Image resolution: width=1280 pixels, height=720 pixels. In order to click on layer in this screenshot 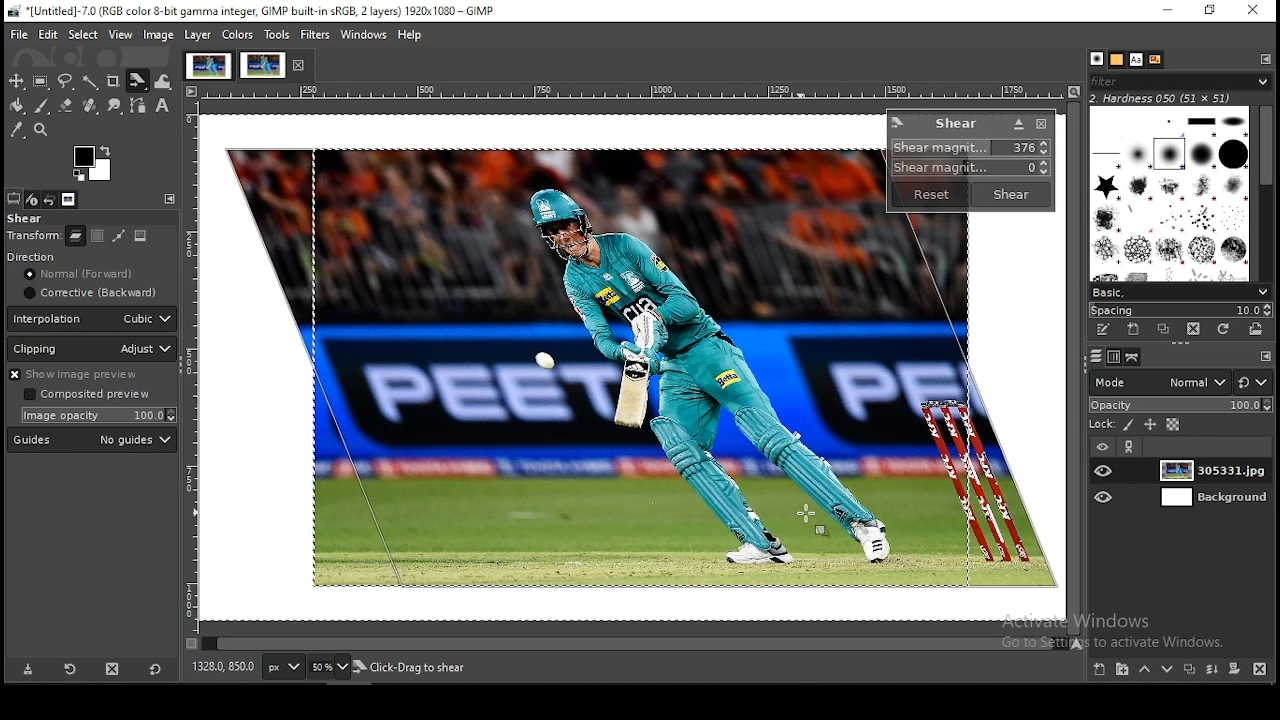, I will do `click(197, 35)`.